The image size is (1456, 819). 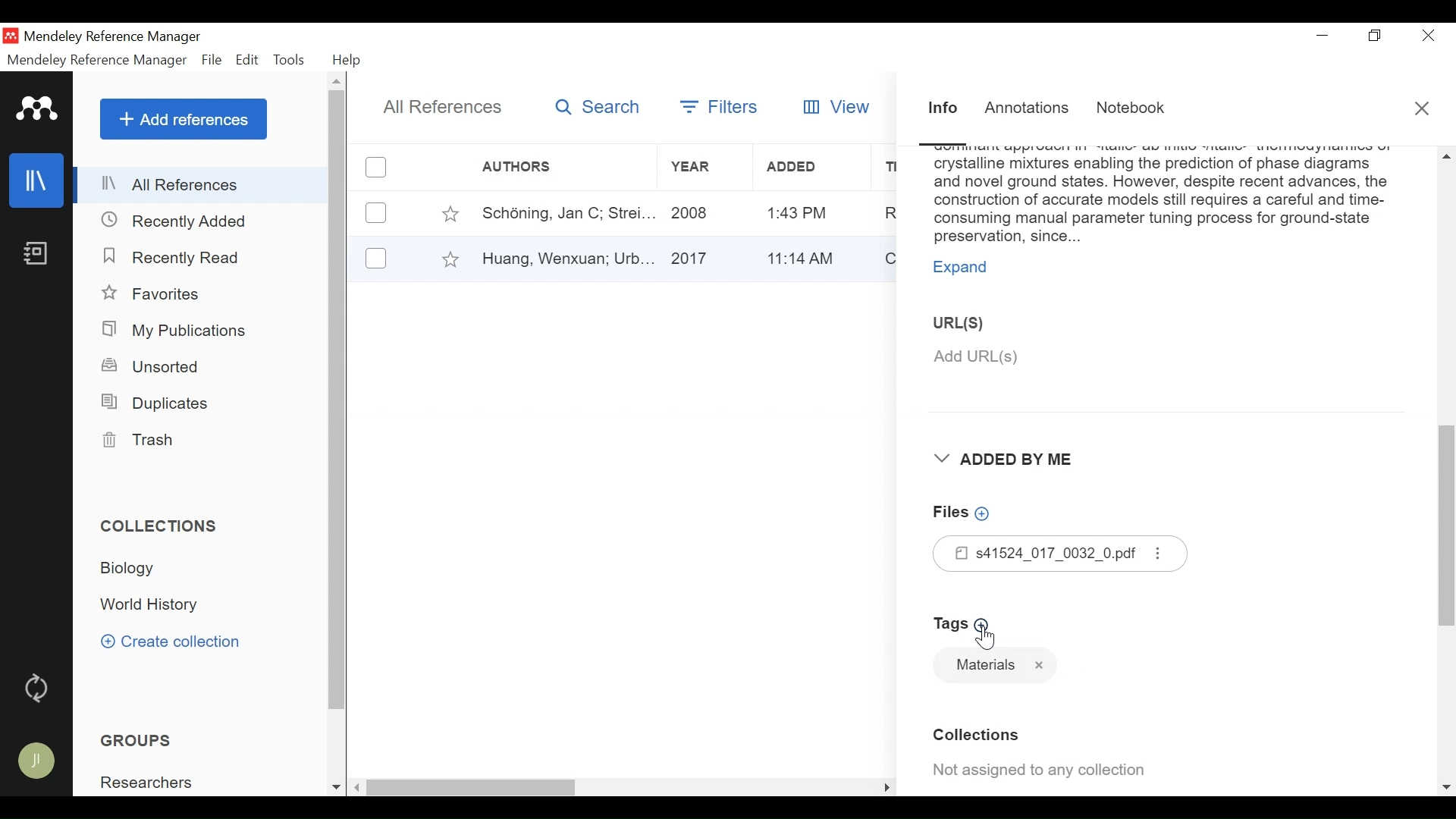 What do you see at coordinates (598, 107) in the screenshot?
I see `Search` at bounding box center [598, 107].